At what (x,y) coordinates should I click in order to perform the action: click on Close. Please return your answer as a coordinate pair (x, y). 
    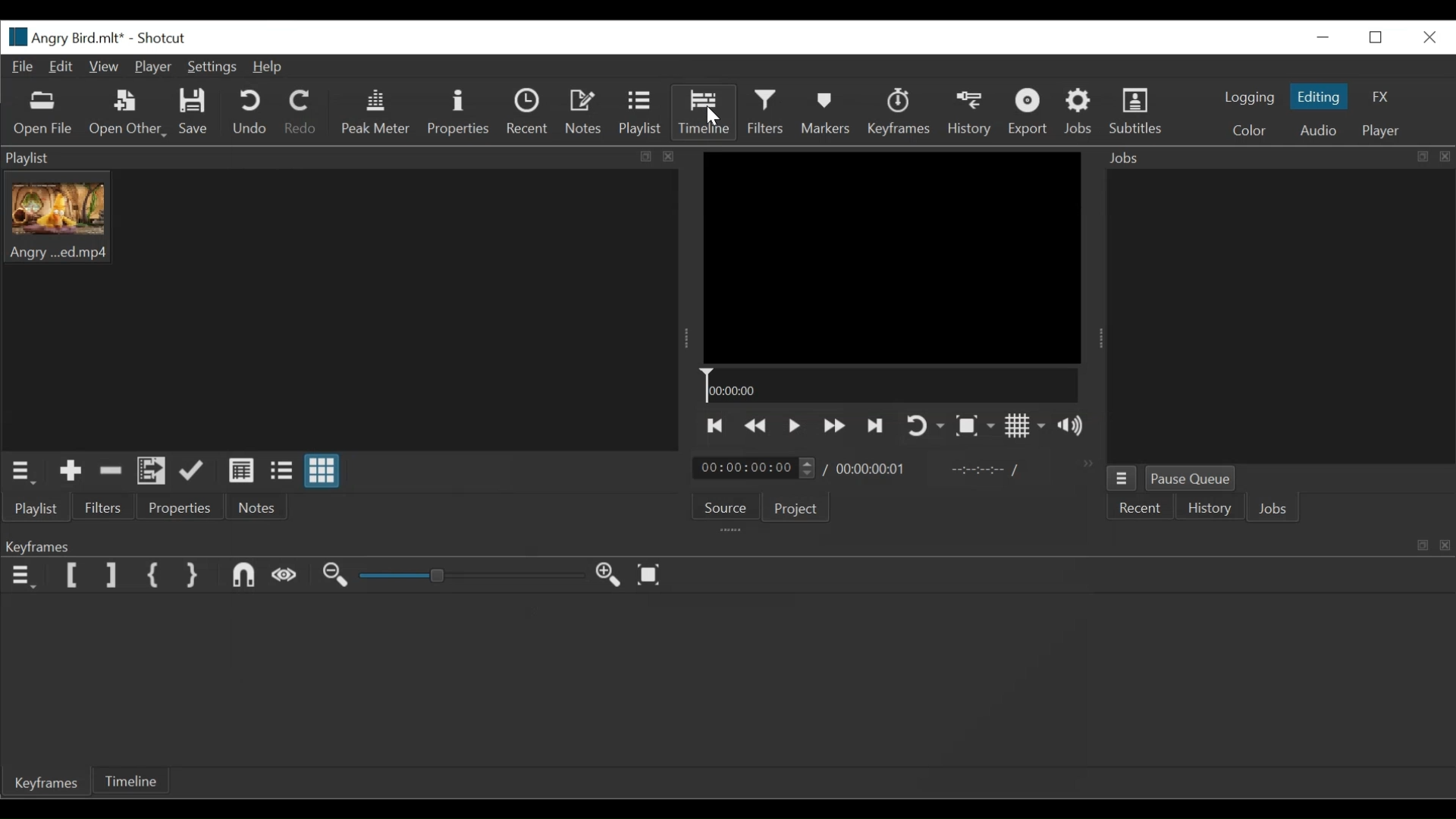
    Looking at the image, I should click on (1326, 36).